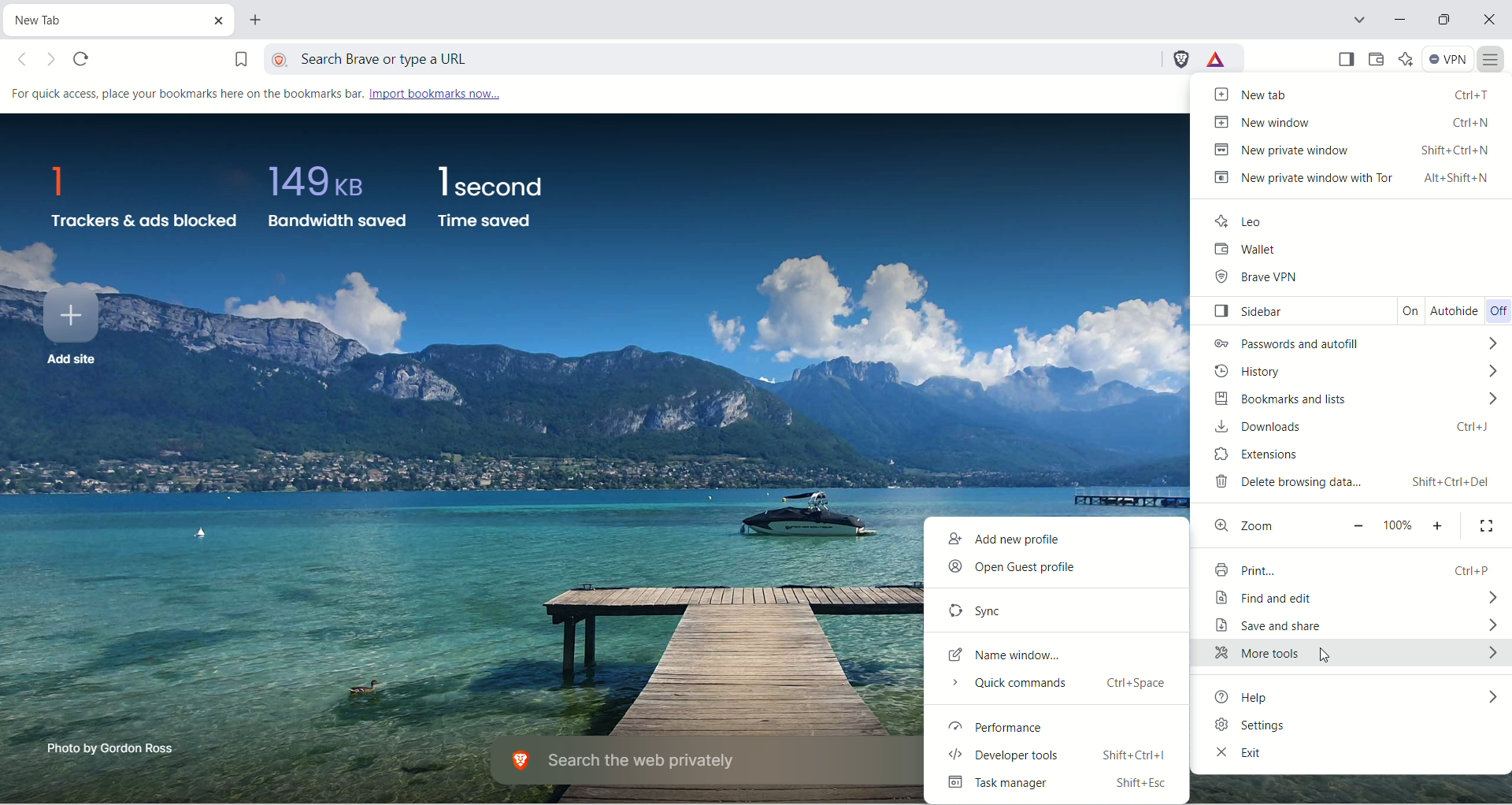 This screenshot has width=1512, height=805. Describe the element at coordinates (1050, 655) in the screenshot. I see `name window` at that location.